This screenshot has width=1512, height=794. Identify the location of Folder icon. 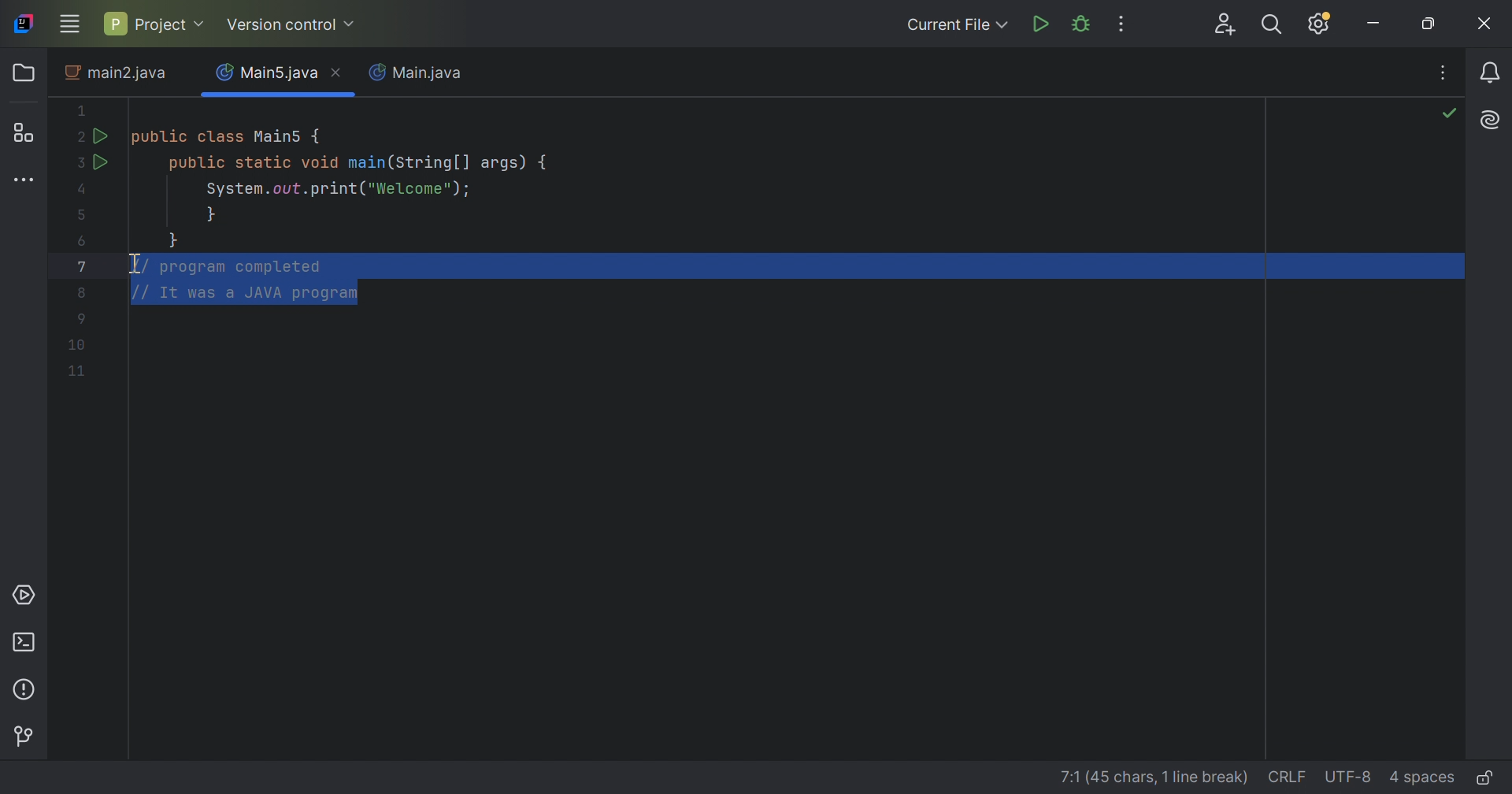
(24, 74).